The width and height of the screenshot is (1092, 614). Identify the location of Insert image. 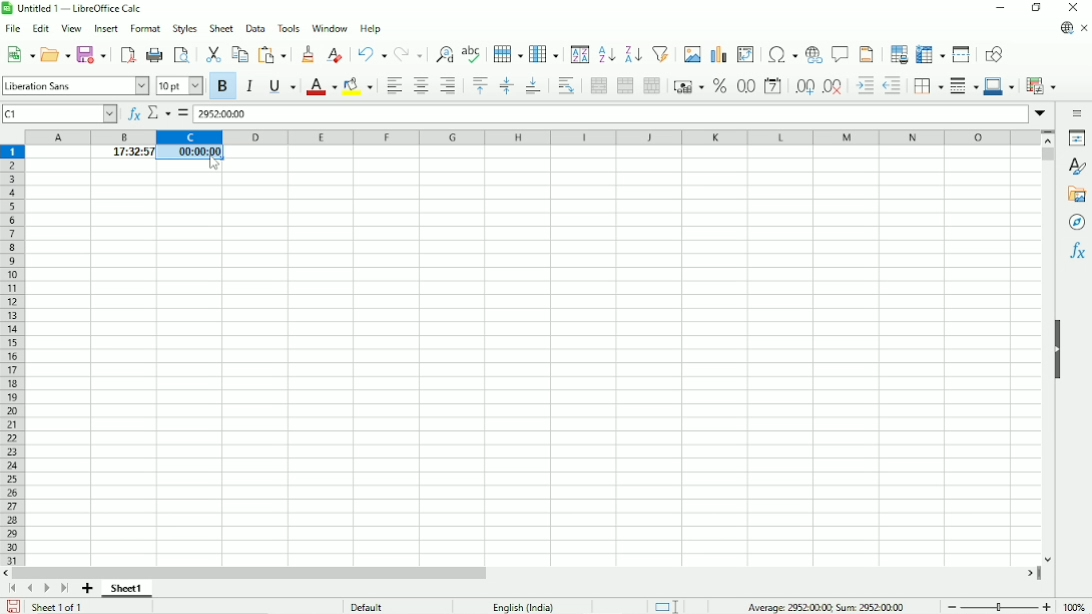
(693, 54).